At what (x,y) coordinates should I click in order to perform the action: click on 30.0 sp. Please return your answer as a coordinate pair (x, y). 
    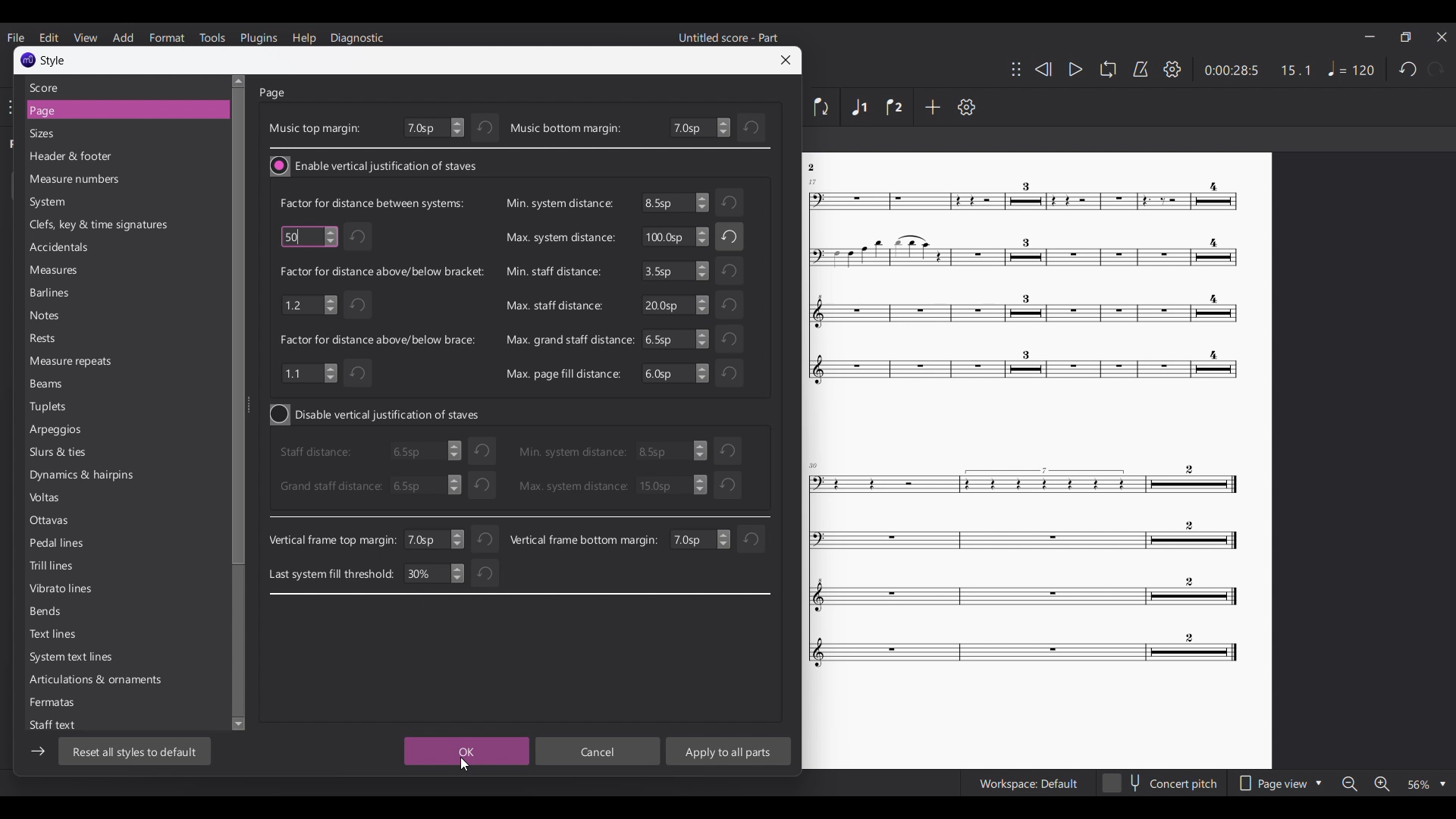
    Looking at the image, I should click on (671, 485).